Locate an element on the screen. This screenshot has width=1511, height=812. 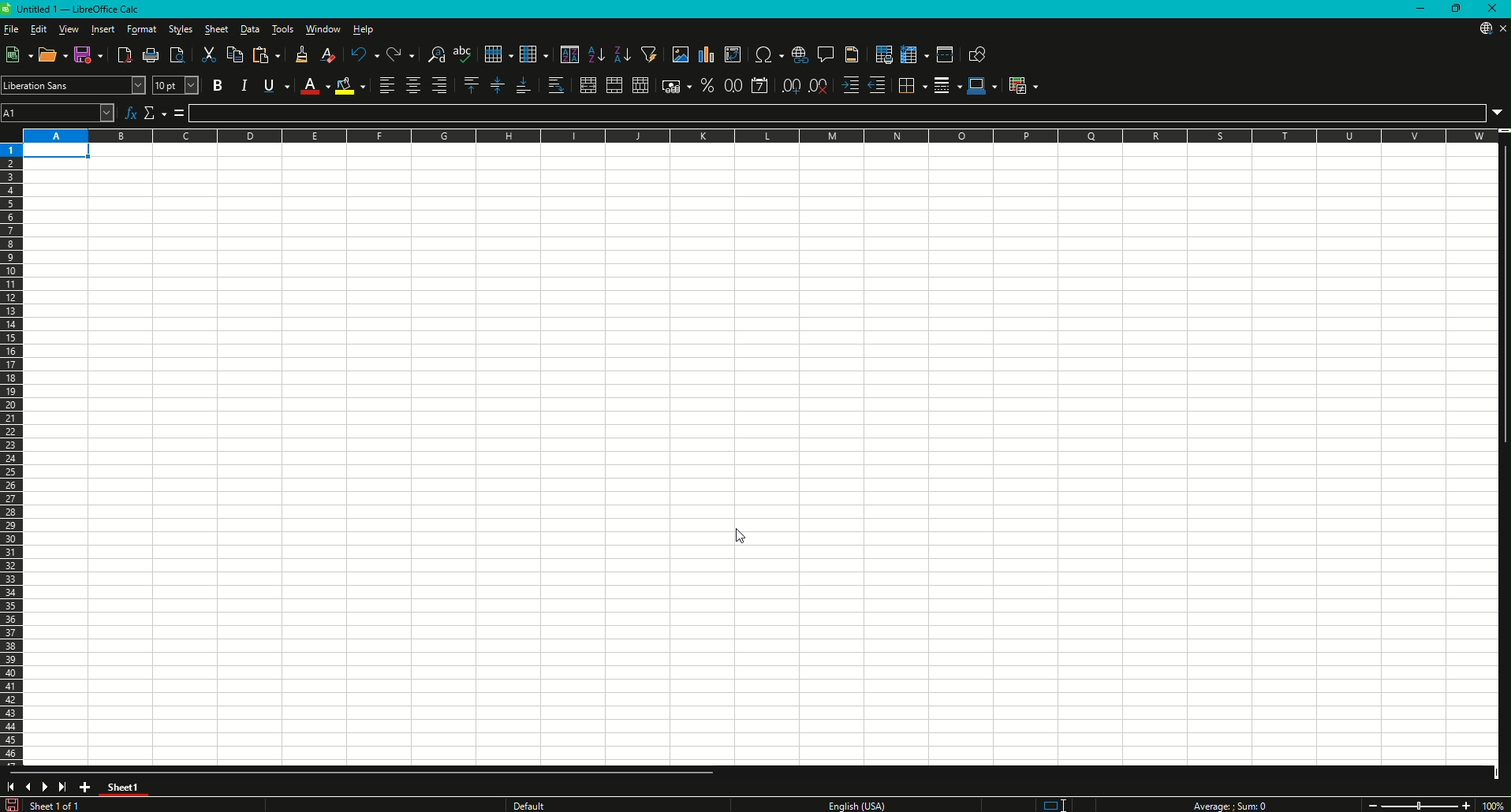
Help is located at coordinates (364, 28).